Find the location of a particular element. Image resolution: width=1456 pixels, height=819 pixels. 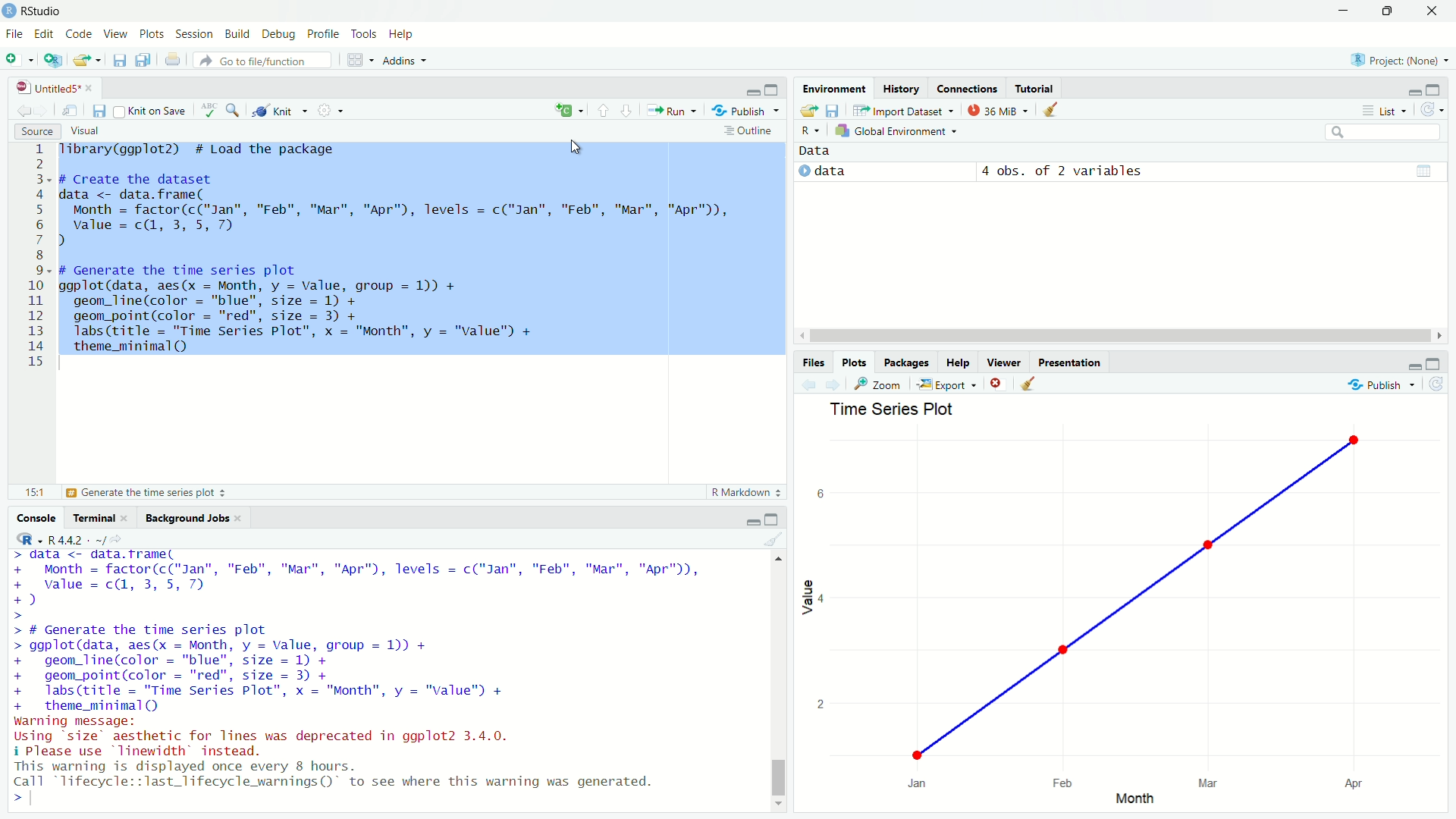

knit is located at coordinates (281, 112).